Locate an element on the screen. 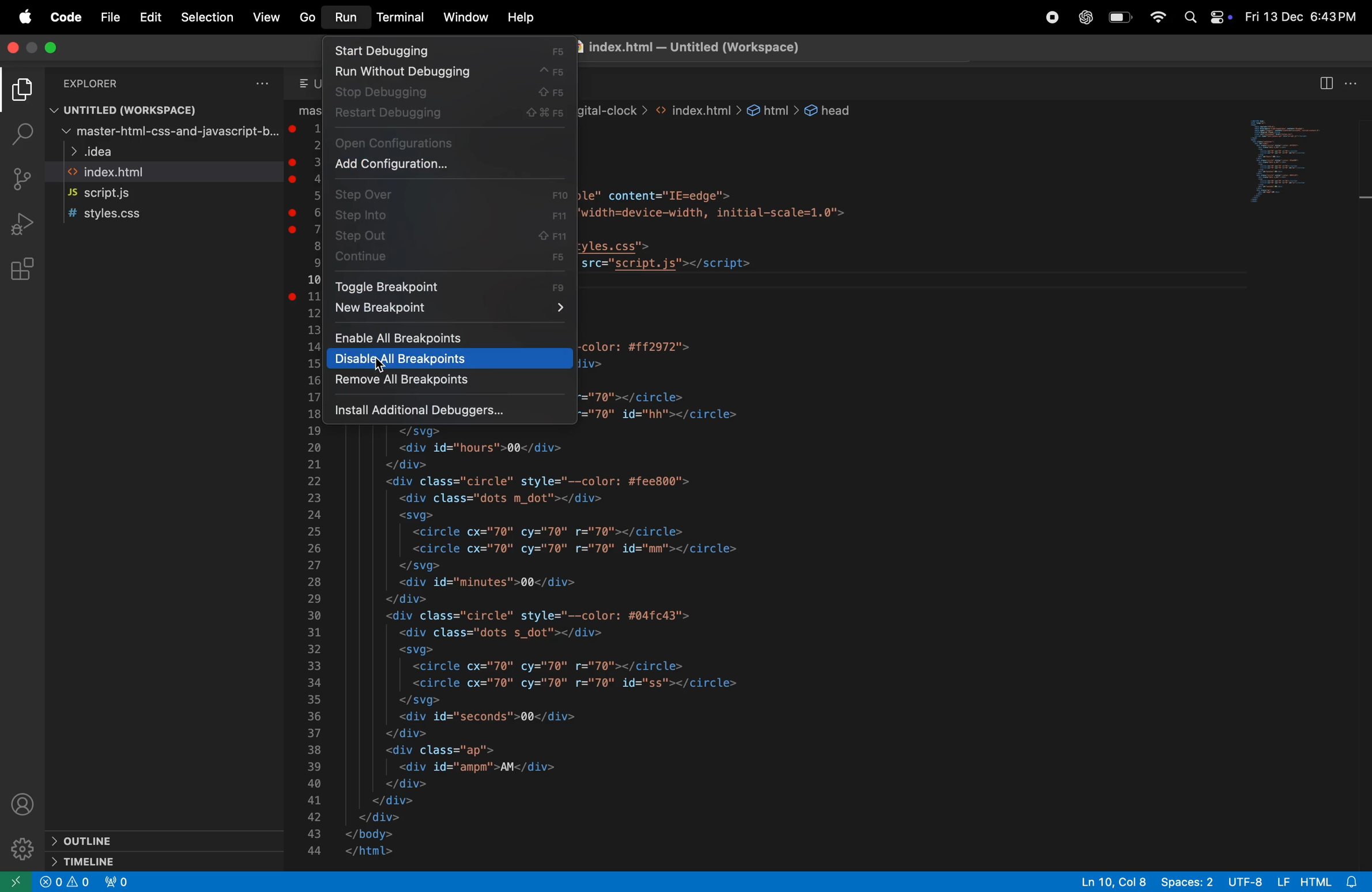 The height and width of the screenshot is (892, 1372). record is located at coordinates (1055, 17).